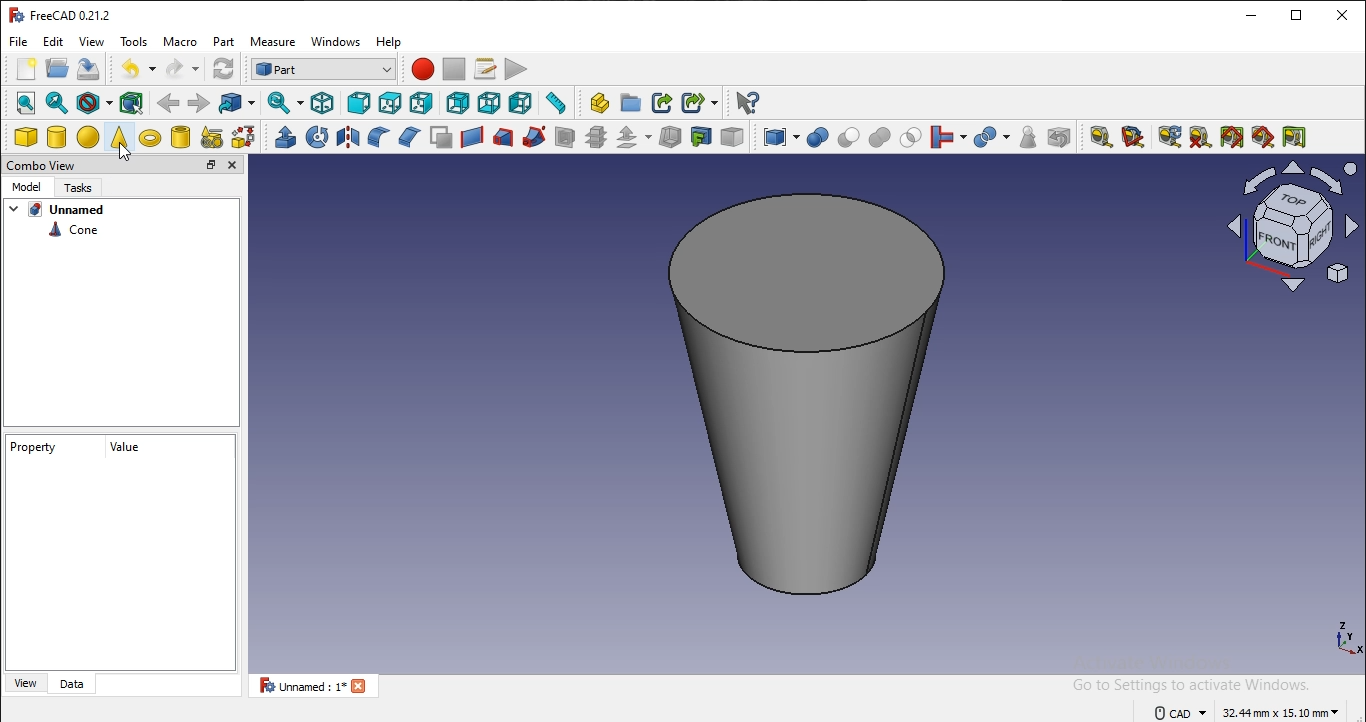  I want to click on offset, so click(627, 138).